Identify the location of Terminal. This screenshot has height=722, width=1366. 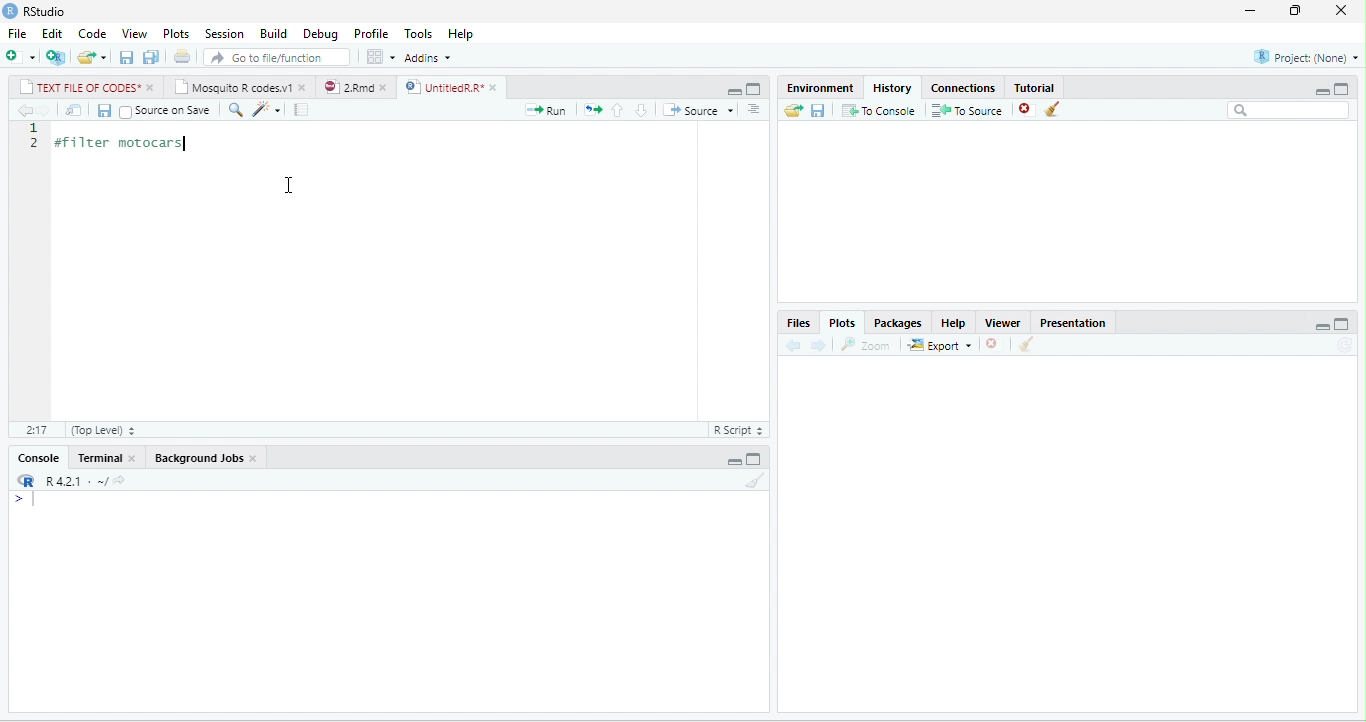
(97, 457).